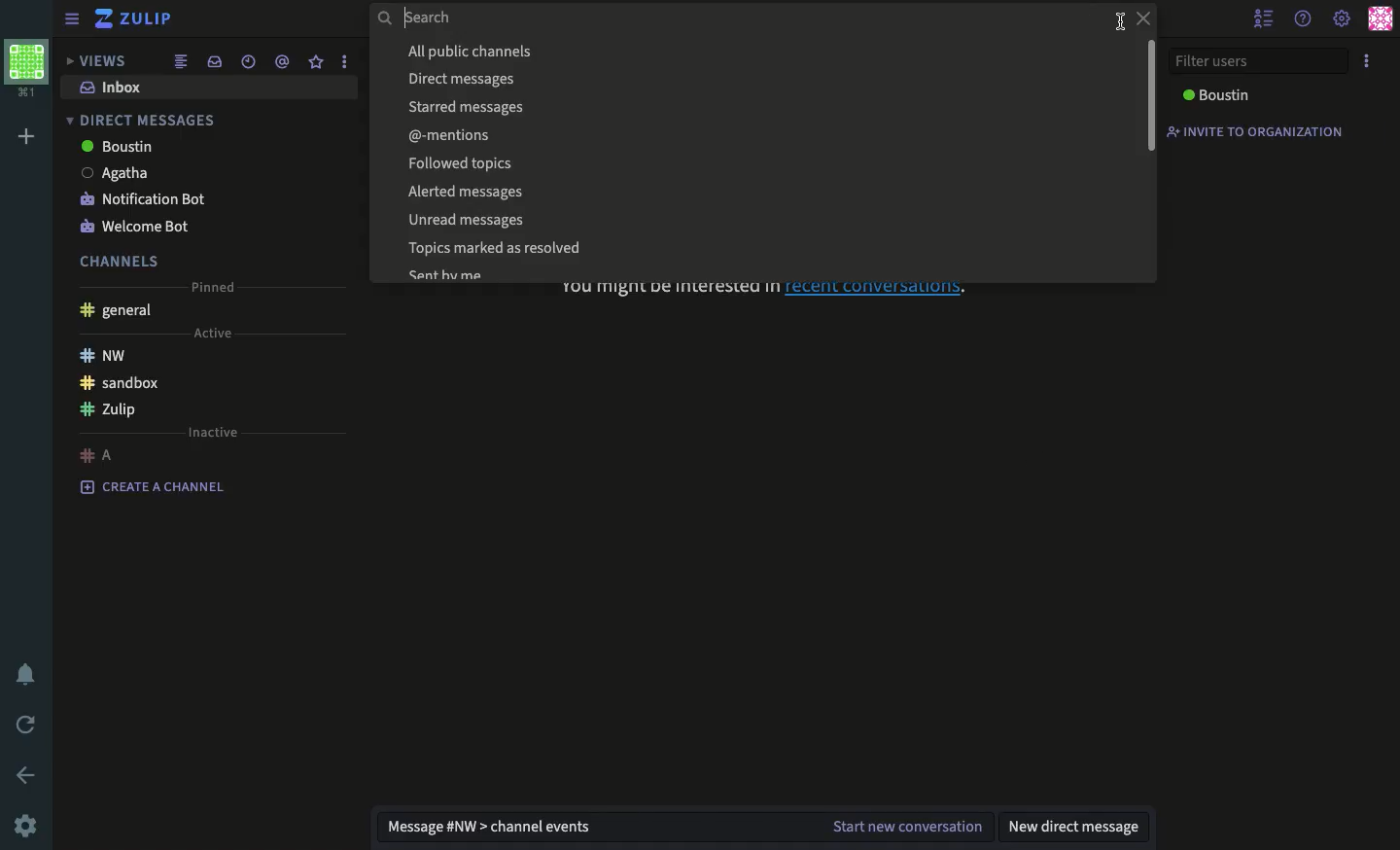  What do you see at coordinates (28, 133) in the screenshot?
I see `add workspace` at bounding box center [28, 133].